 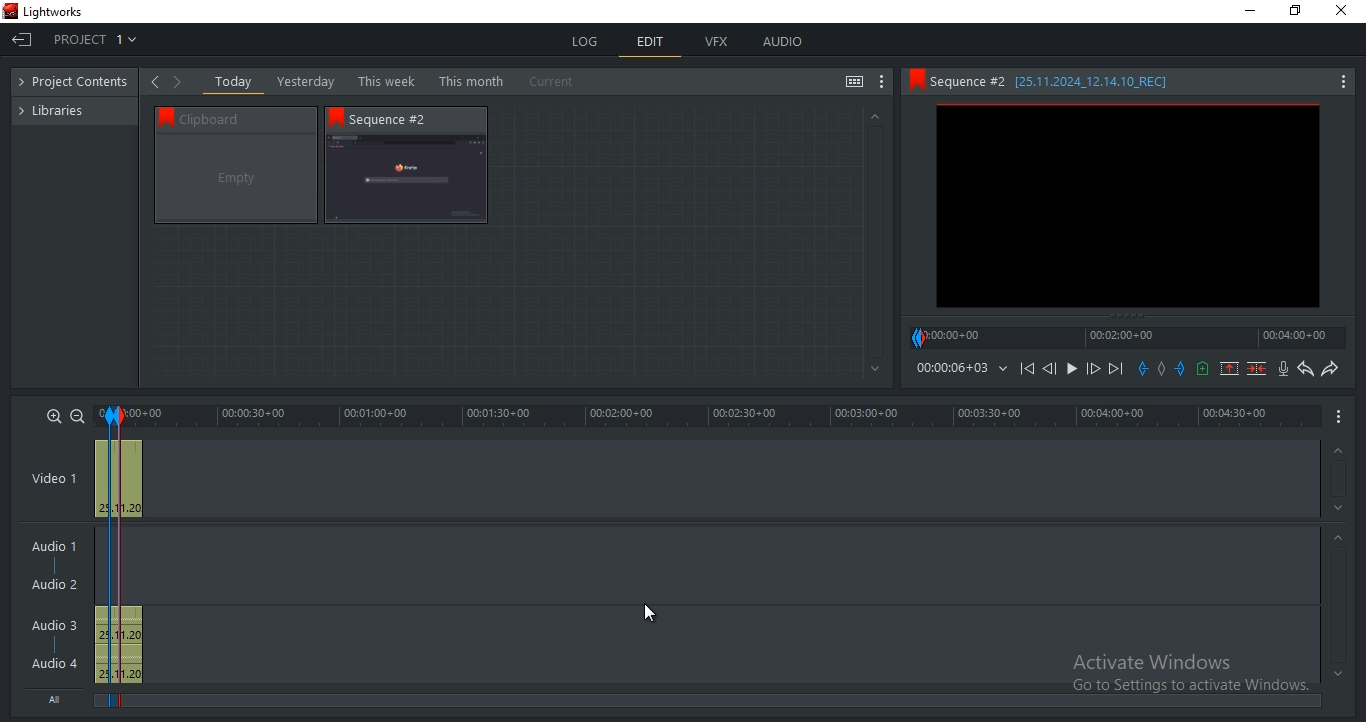 I want to click on sequence 2, so click(x=1128, y=208).